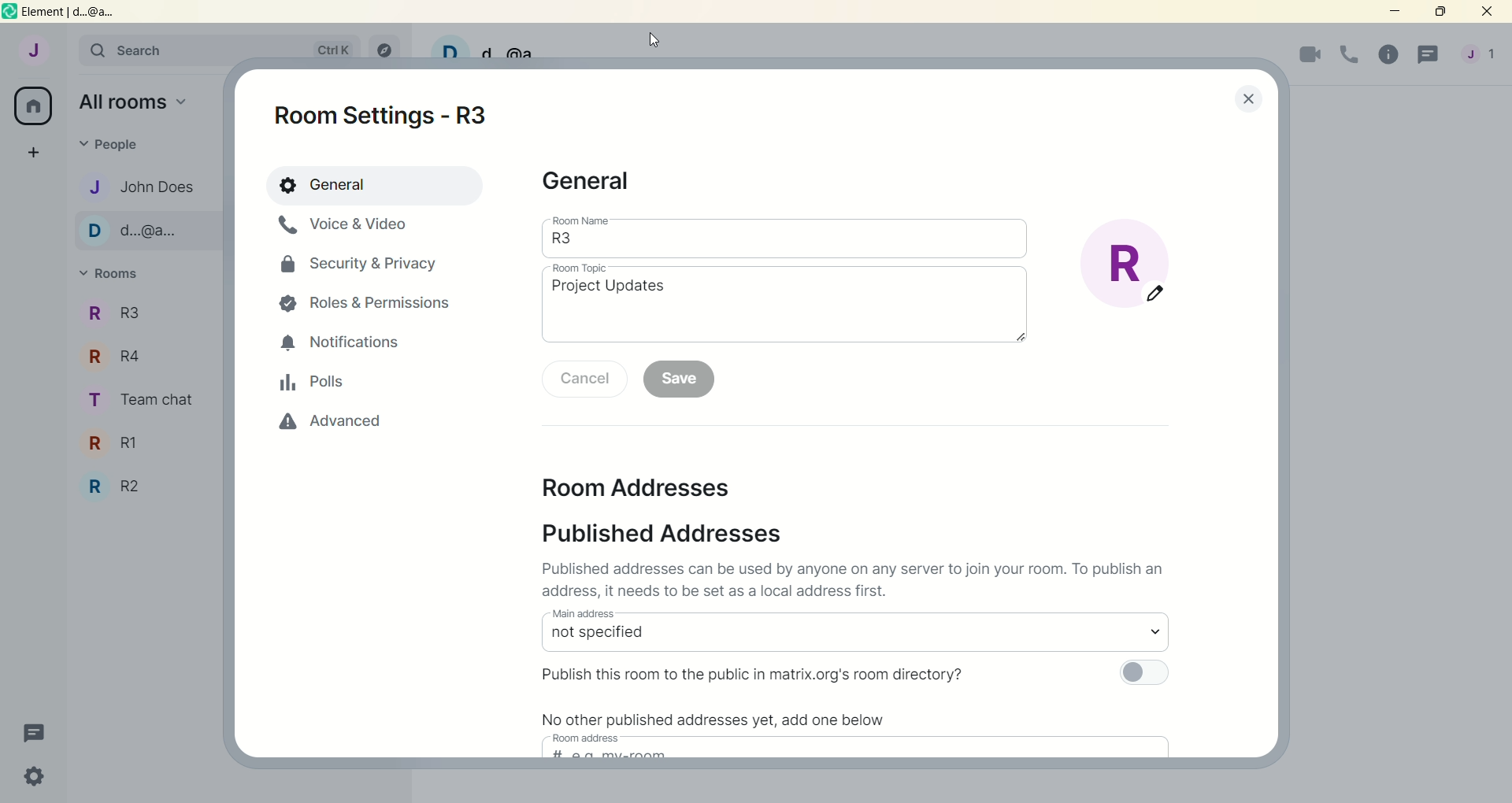  Describe the element at coordinates (584, 220) in the screenshot. I see `room name` at that location.